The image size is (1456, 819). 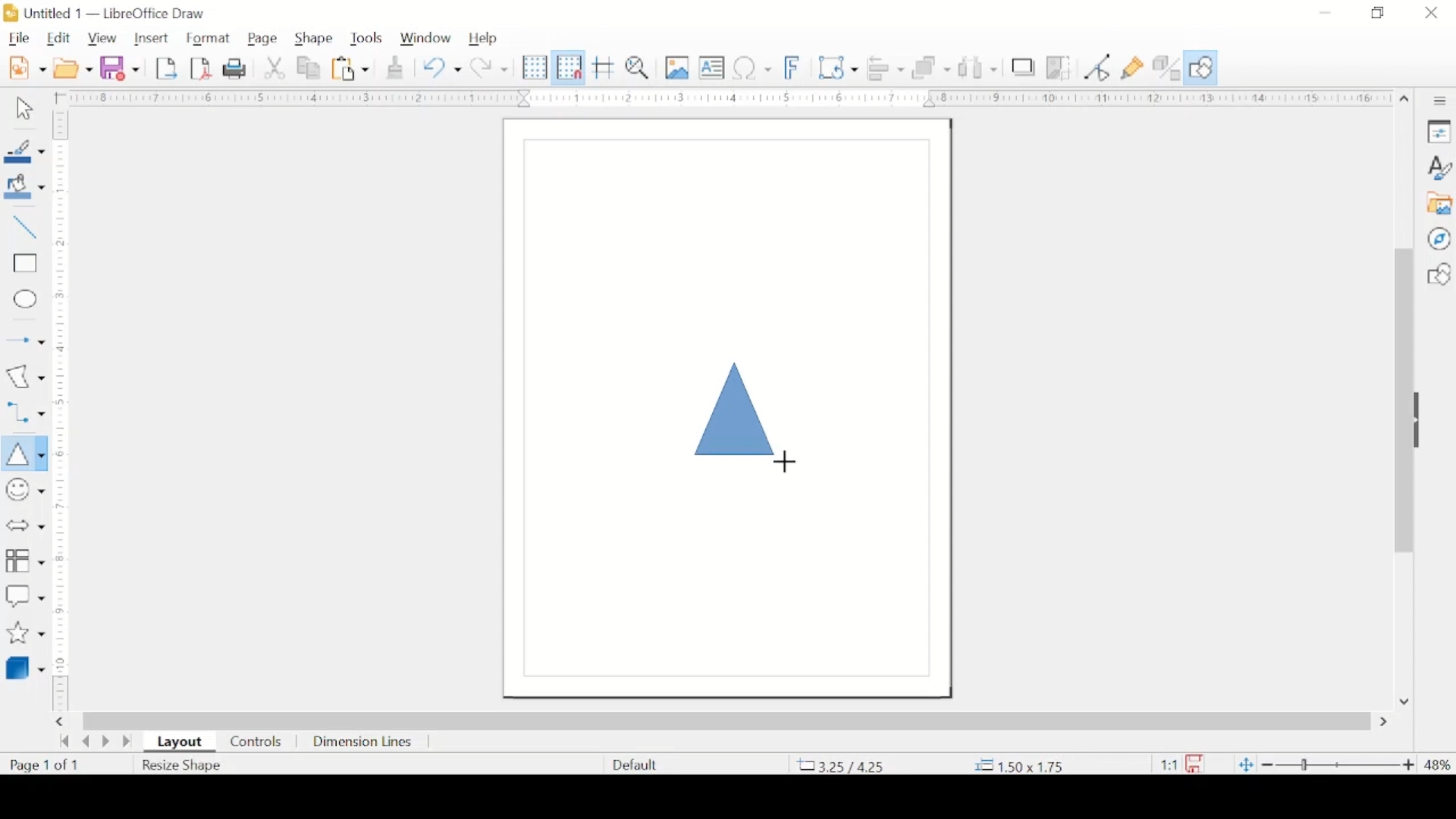 I want to click on insert arrow, so click(x=24, y=338).